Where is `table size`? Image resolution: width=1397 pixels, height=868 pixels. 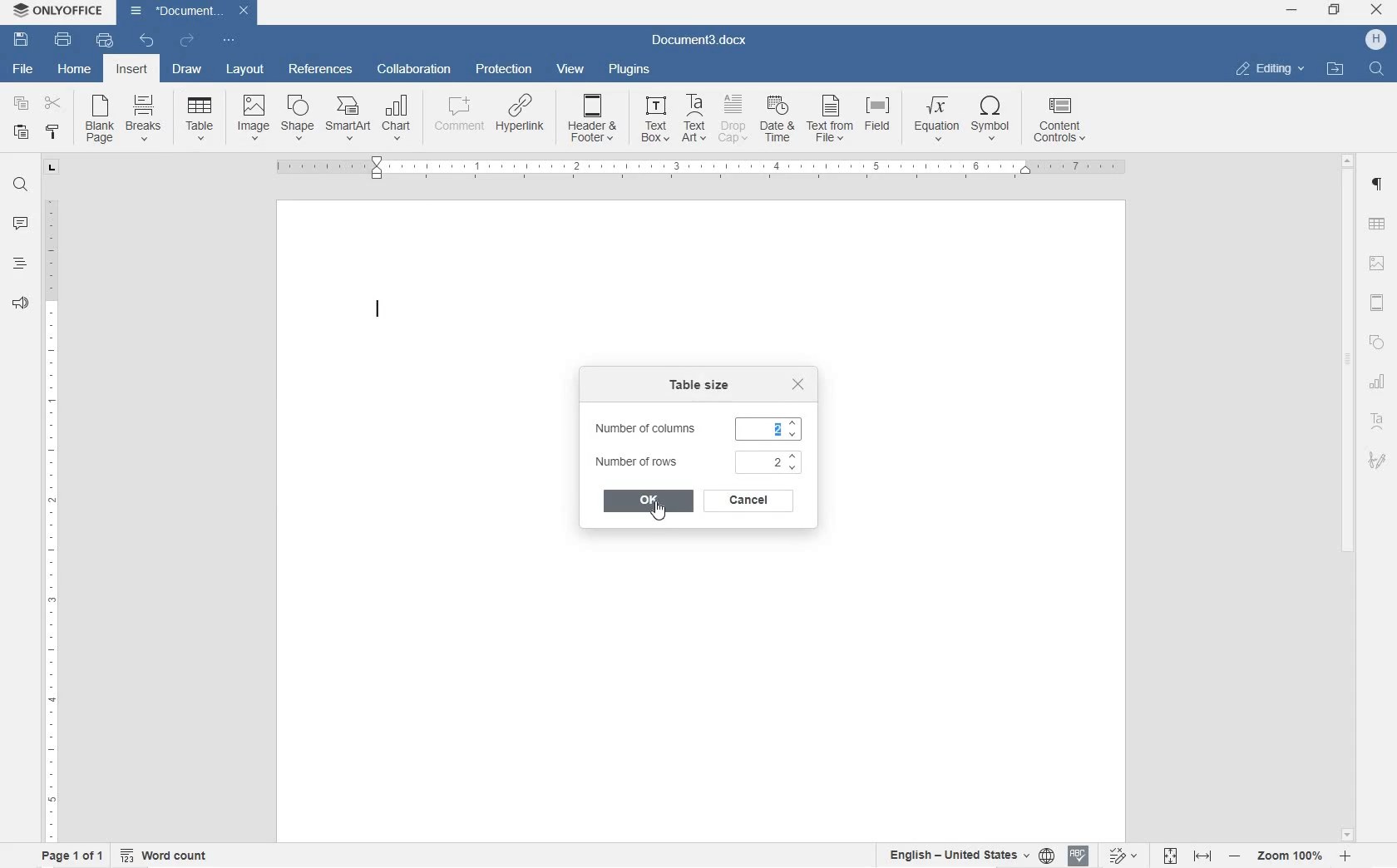
table size is located at coordinates (701, 387).